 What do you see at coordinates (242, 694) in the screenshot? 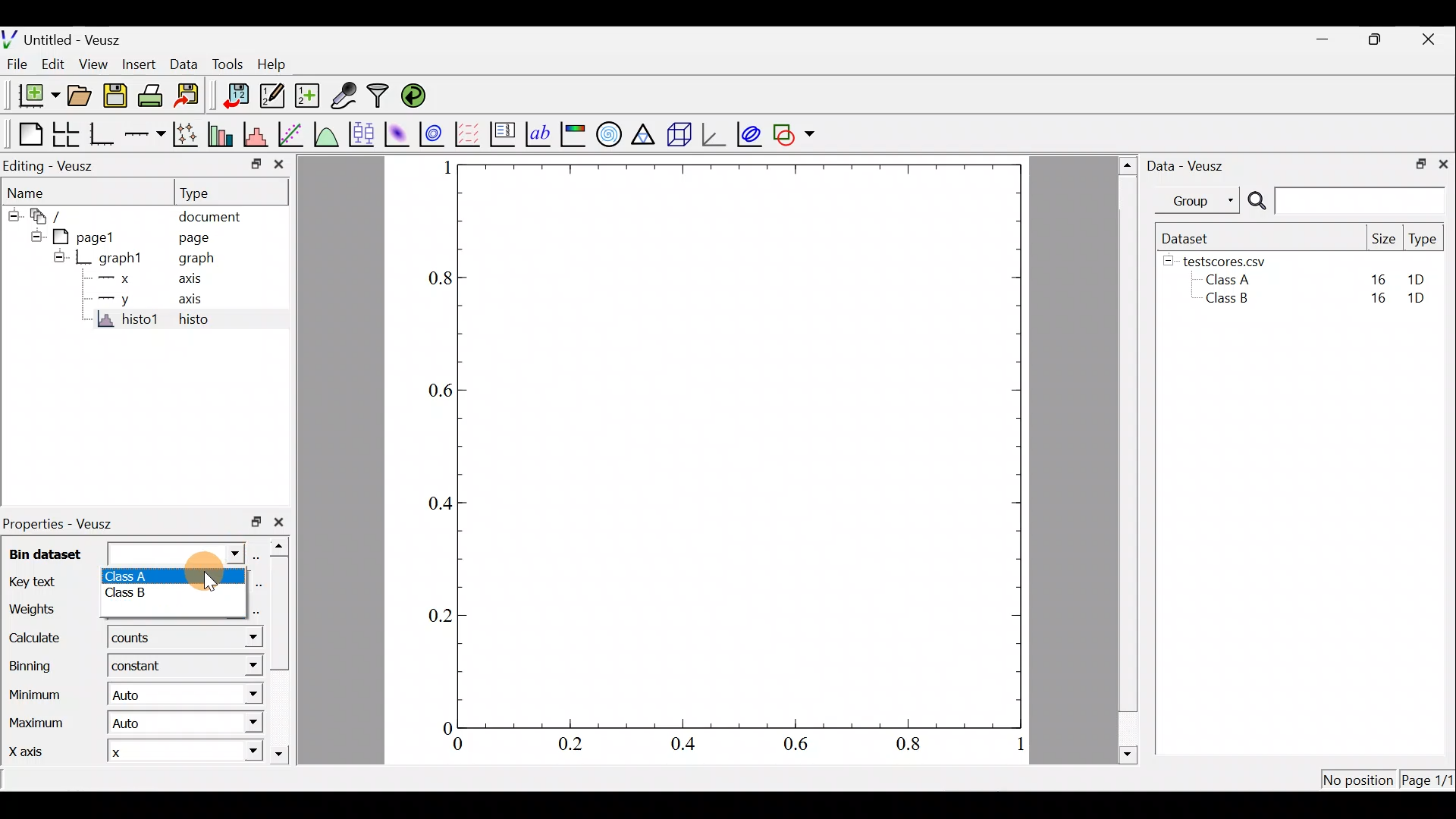
I see `Minimum dropdown` at bounding box center [242, 694].